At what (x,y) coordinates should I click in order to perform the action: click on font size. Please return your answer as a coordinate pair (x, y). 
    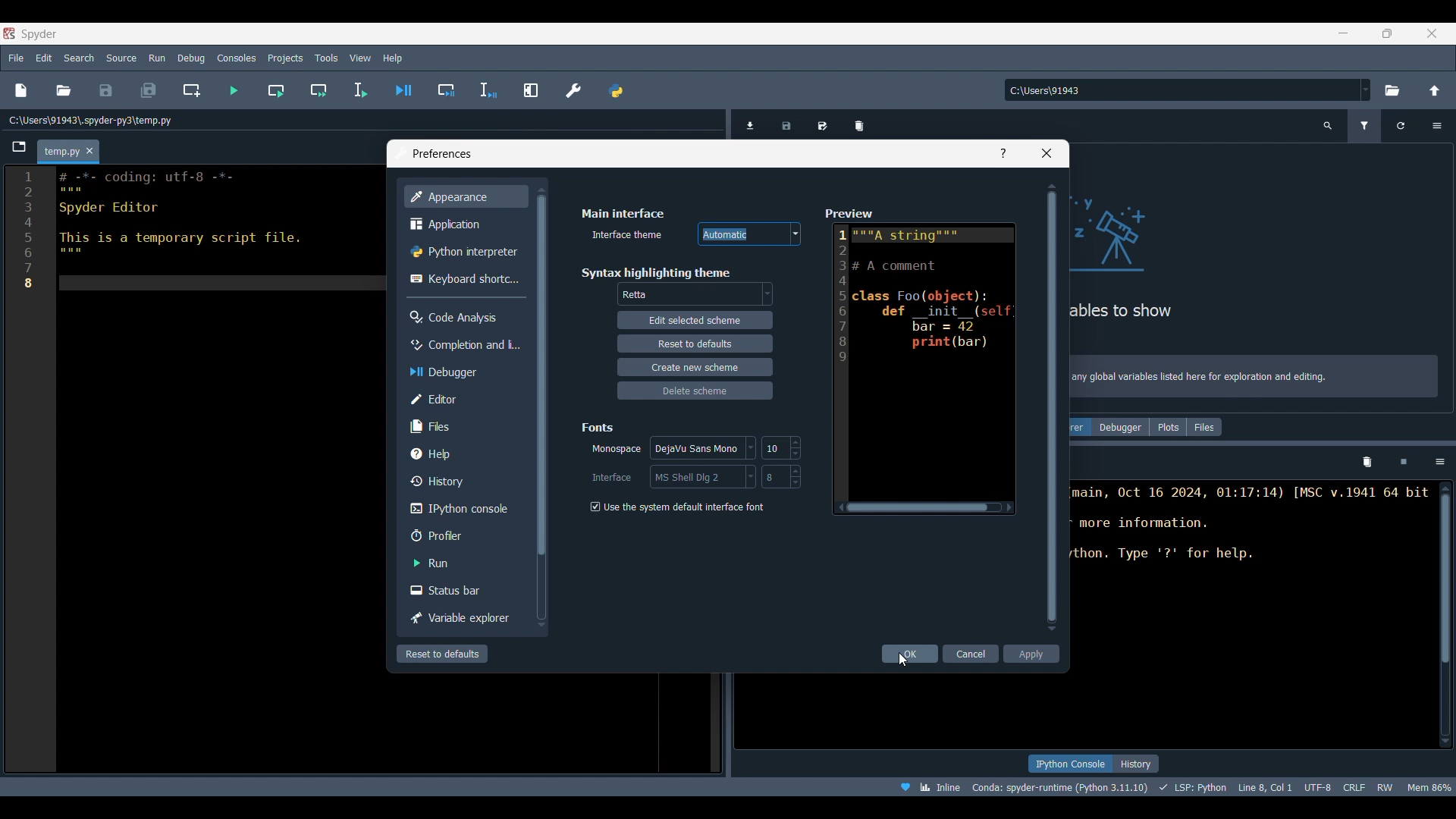
    Looking at the image, I should click on (780, 447).